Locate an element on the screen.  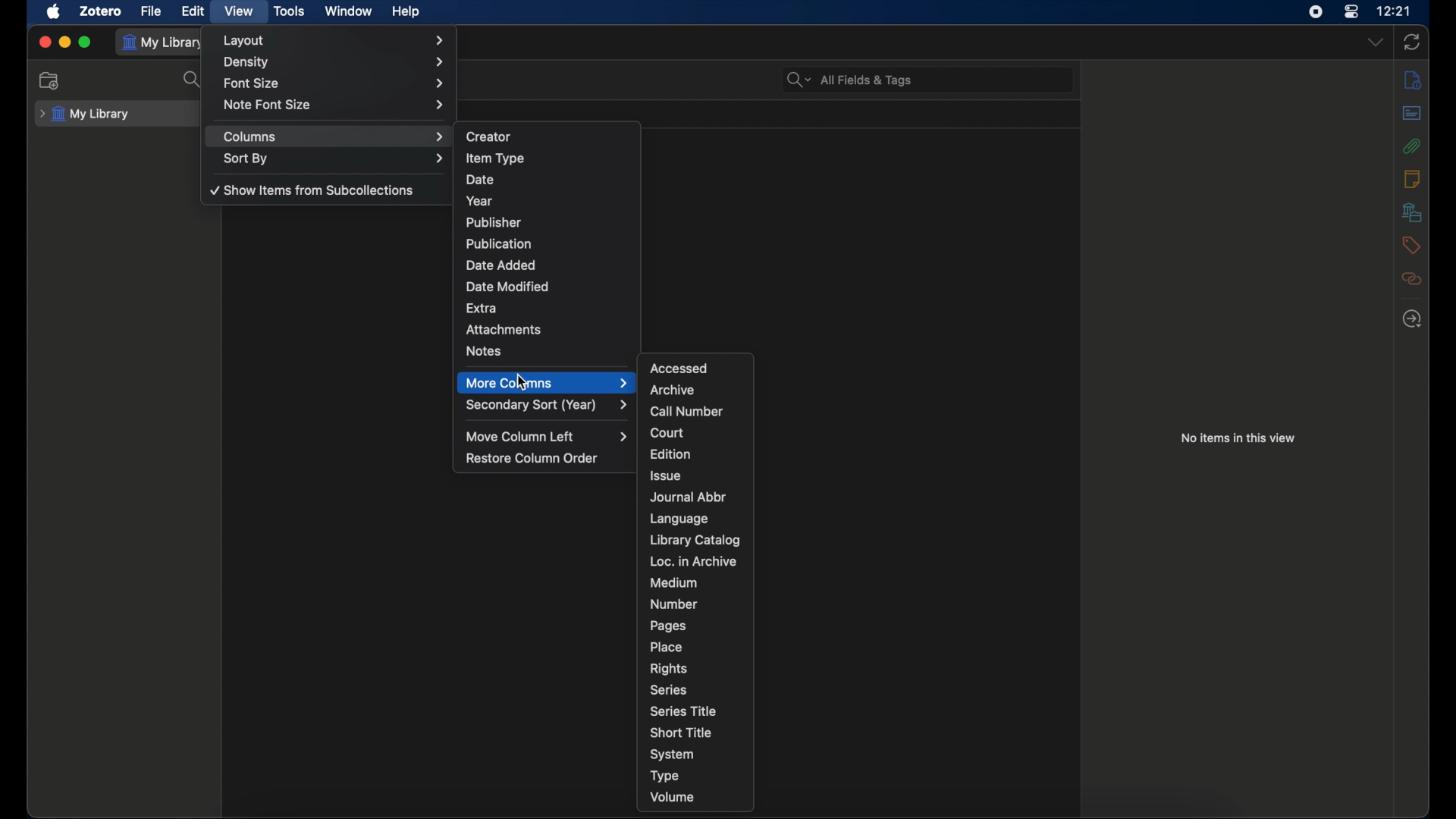
medium is located at coordinates (673, 583).